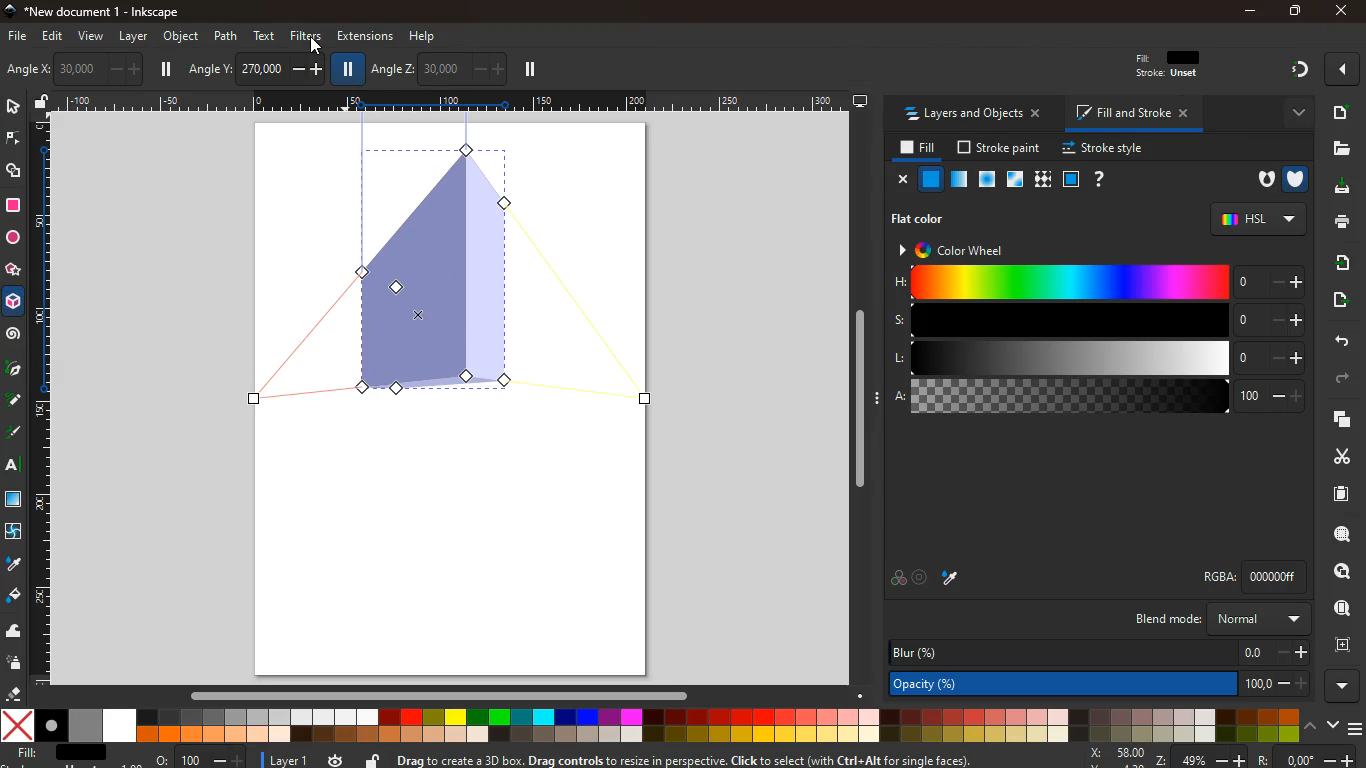 The width and height of the screenshot is (1366, 768). Describe the element at coordinates (42, 103) in the screenshot. I see `unlock` at that location.